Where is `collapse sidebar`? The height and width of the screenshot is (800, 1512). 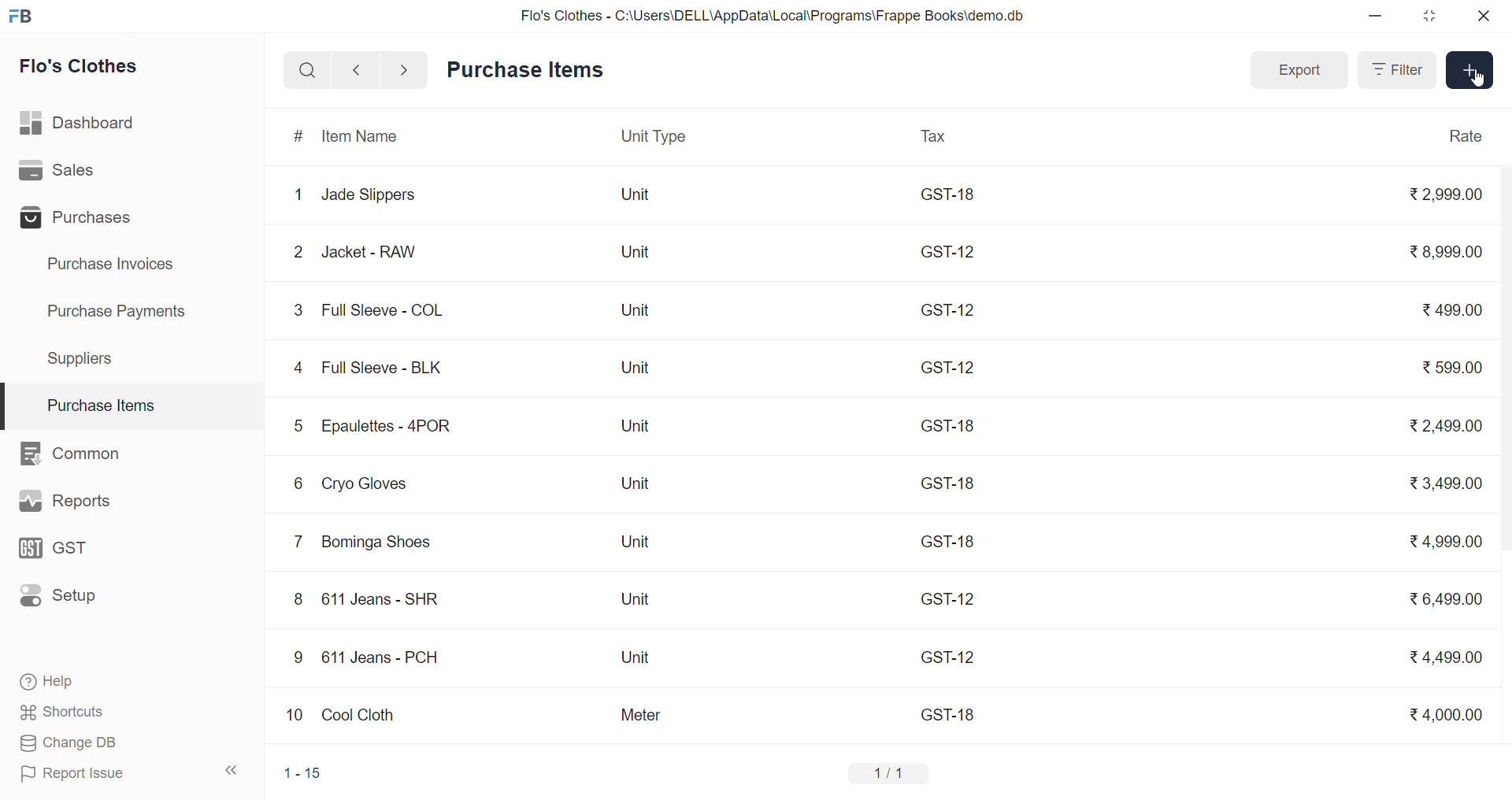
collapse sidebar is located at coordinates (238, 772).